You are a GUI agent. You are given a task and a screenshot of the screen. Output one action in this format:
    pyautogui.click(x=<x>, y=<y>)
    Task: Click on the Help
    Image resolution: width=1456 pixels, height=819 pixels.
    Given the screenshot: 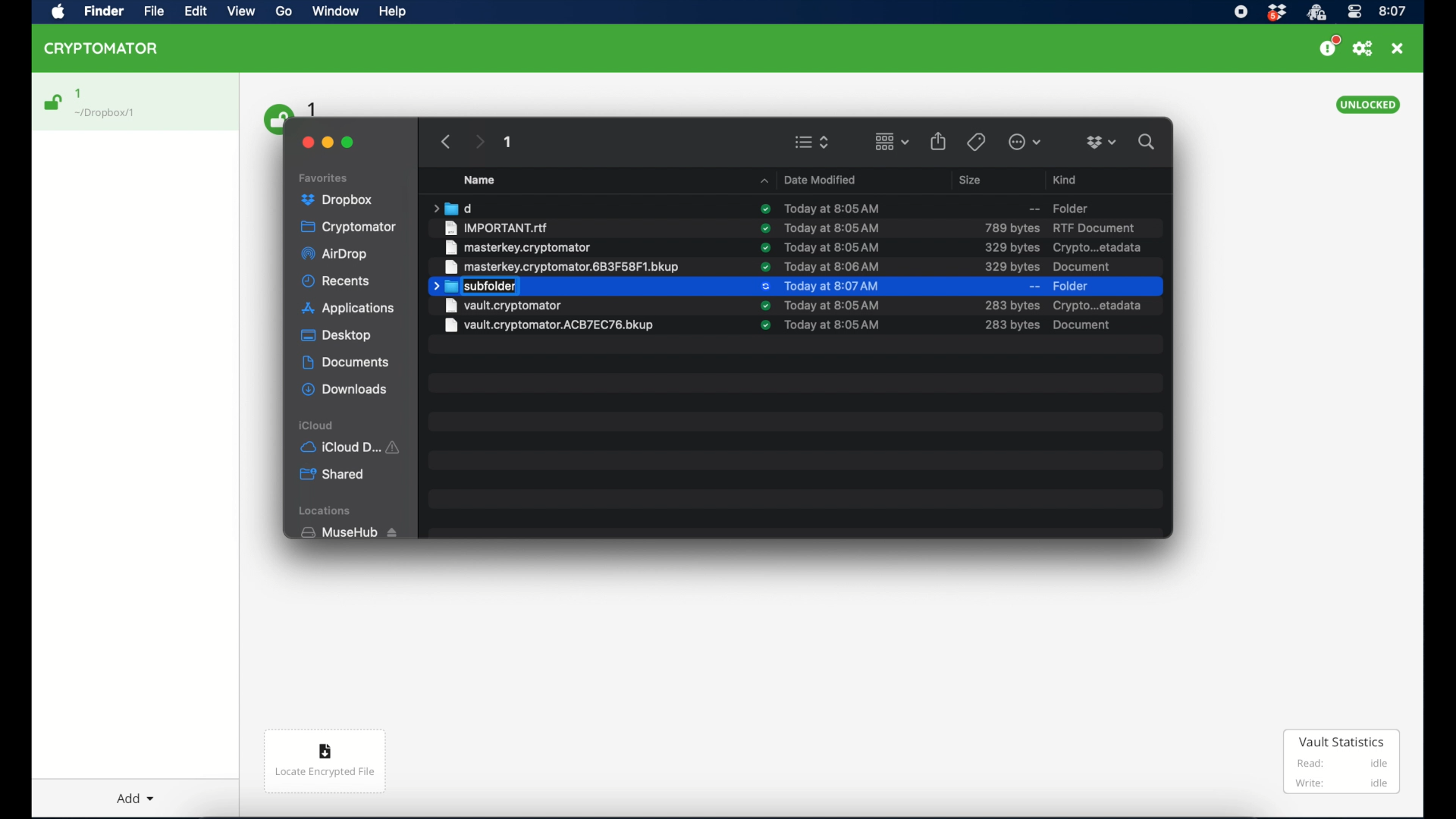 What is the action you would take?
    pyautogui.click(x=394, y=14)
    